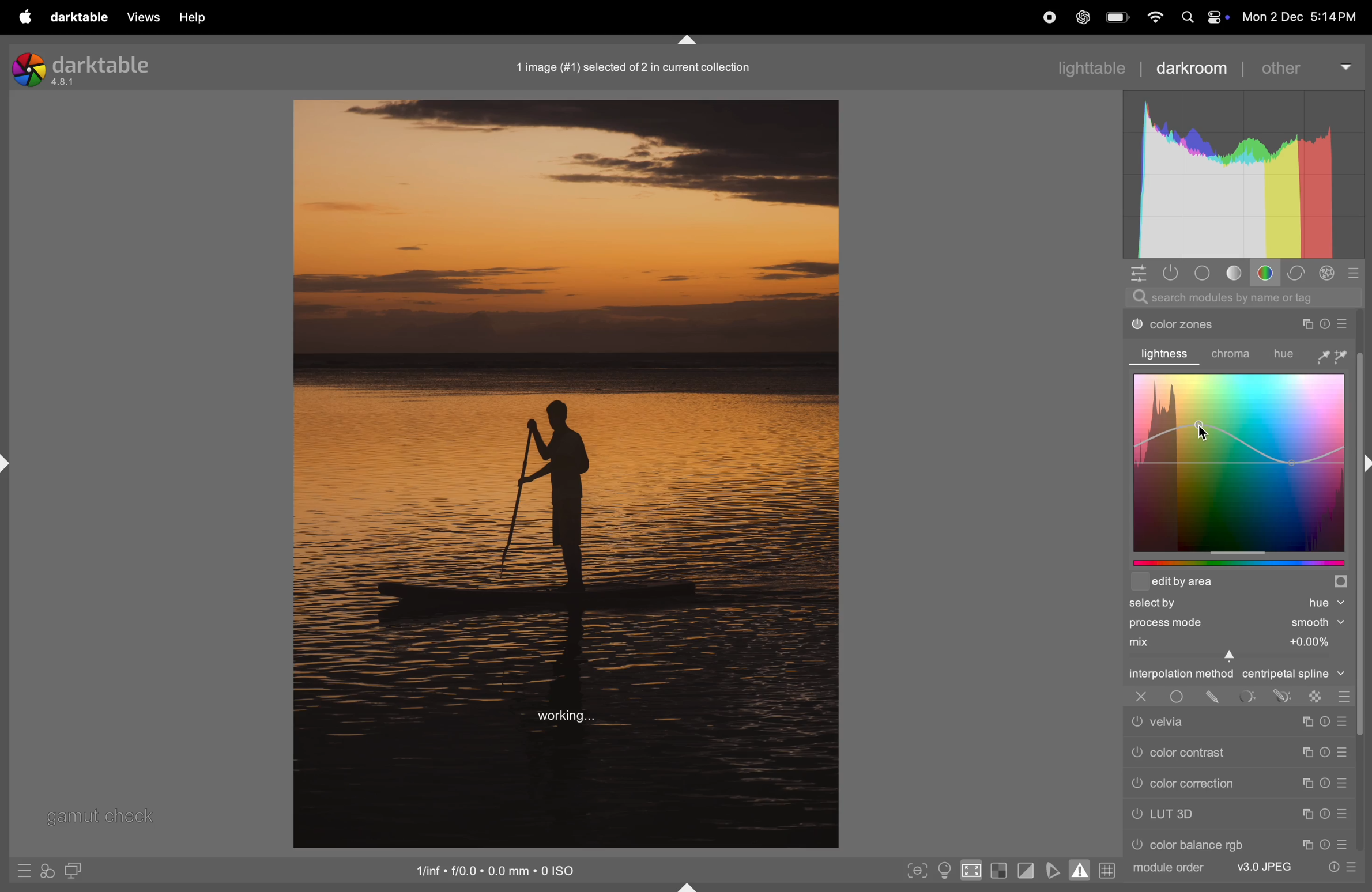 This screenshot has width=1372, height=892. I want to click on v3 jpeg, so click(1257, 865).